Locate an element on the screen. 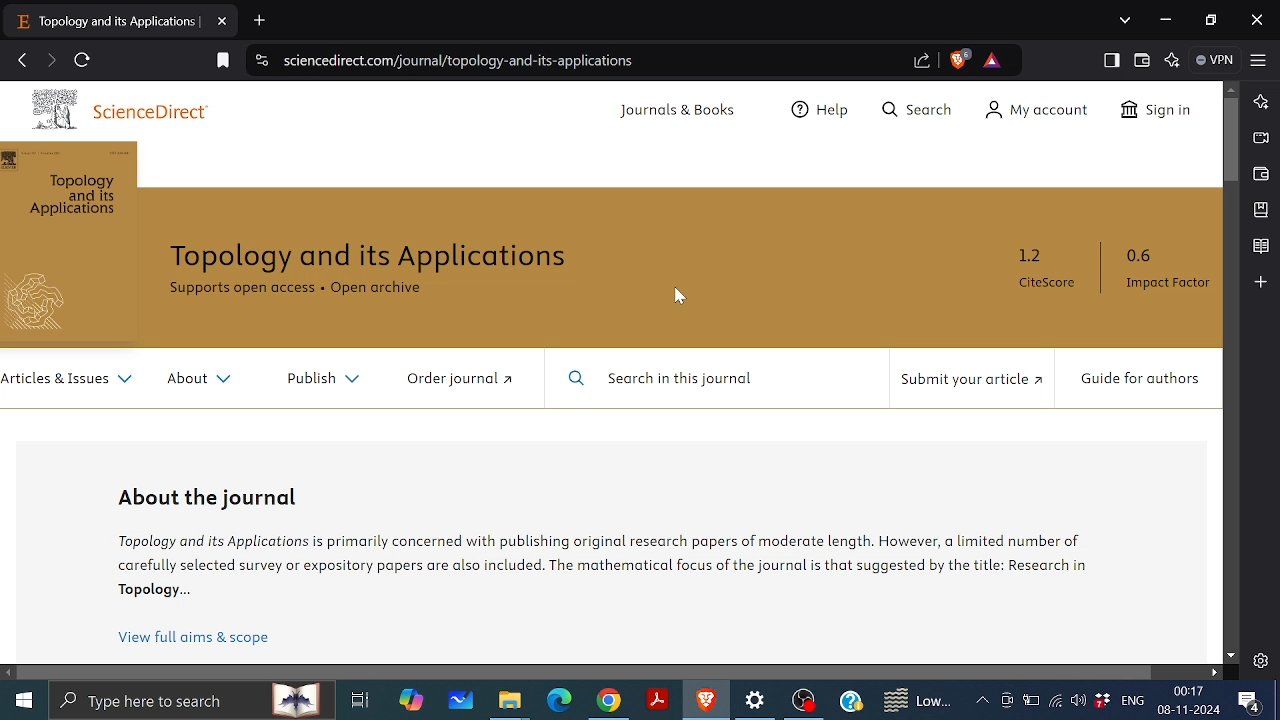  Task View is located at coordinates (358, 700).